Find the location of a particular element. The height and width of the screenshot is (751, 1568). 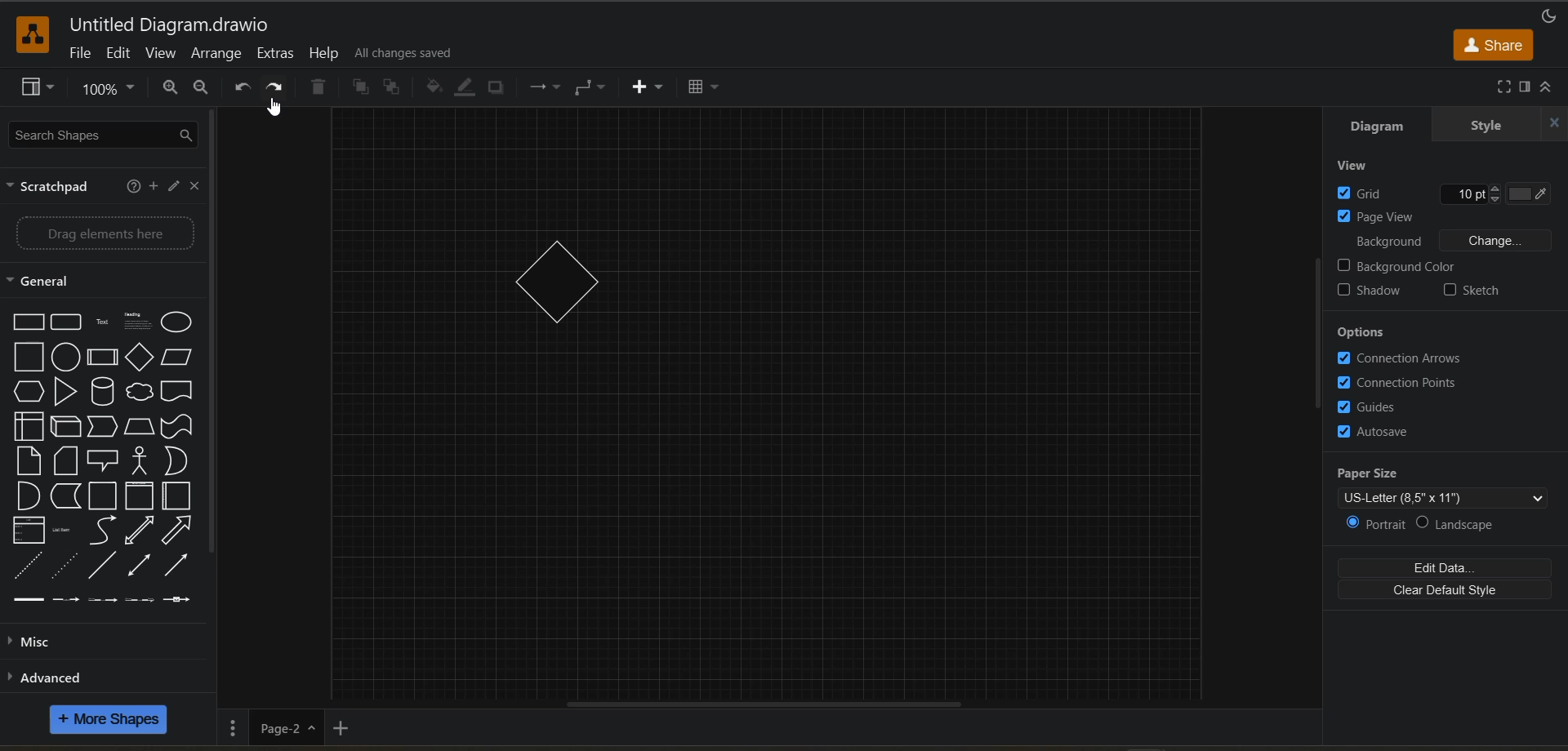

zoom is located at coordinates (111, 88).